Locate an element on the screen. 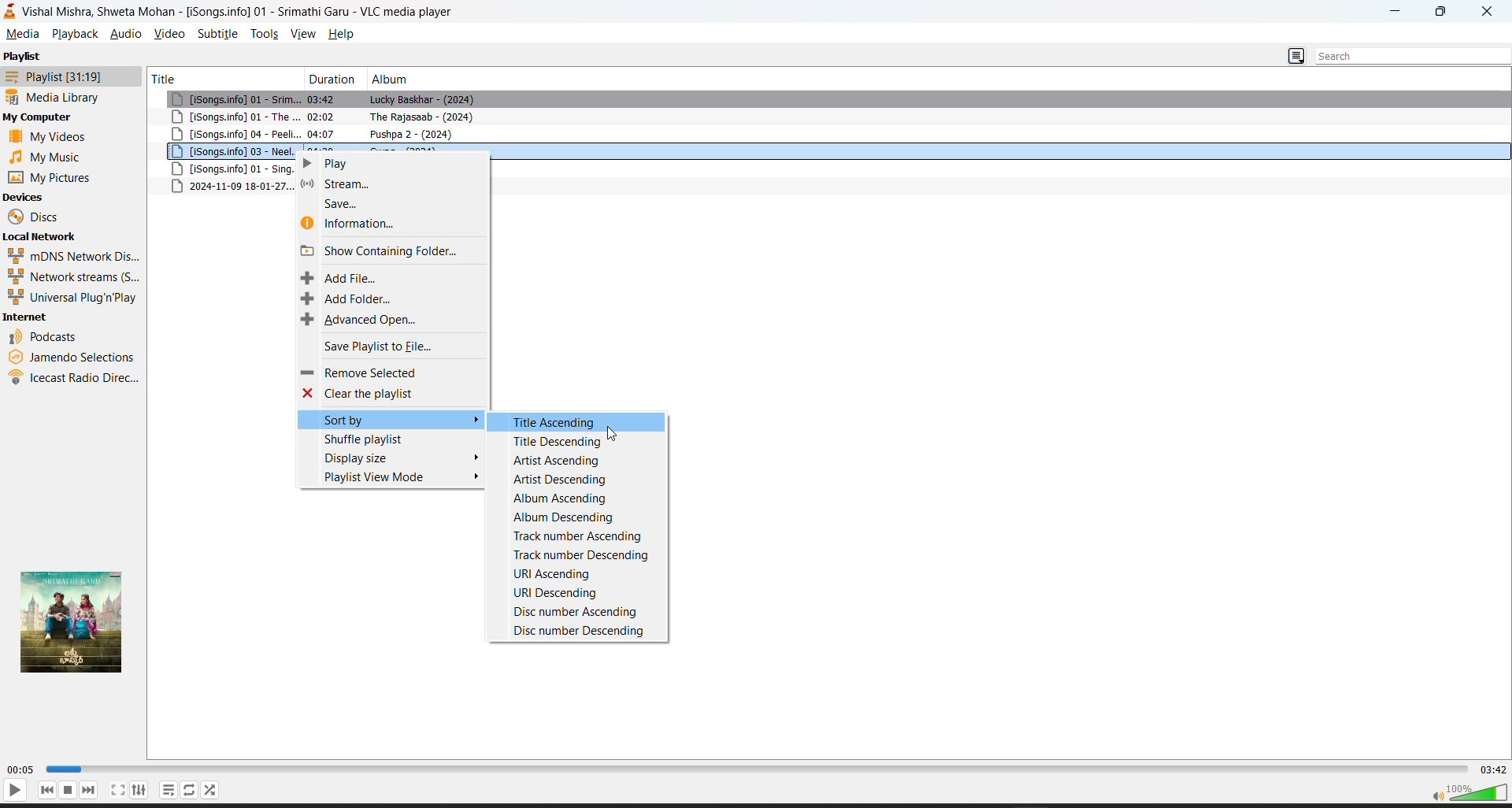 The width and height of the screenshot is (1512, 808). thumbnail is located at coordinates (78, 623).